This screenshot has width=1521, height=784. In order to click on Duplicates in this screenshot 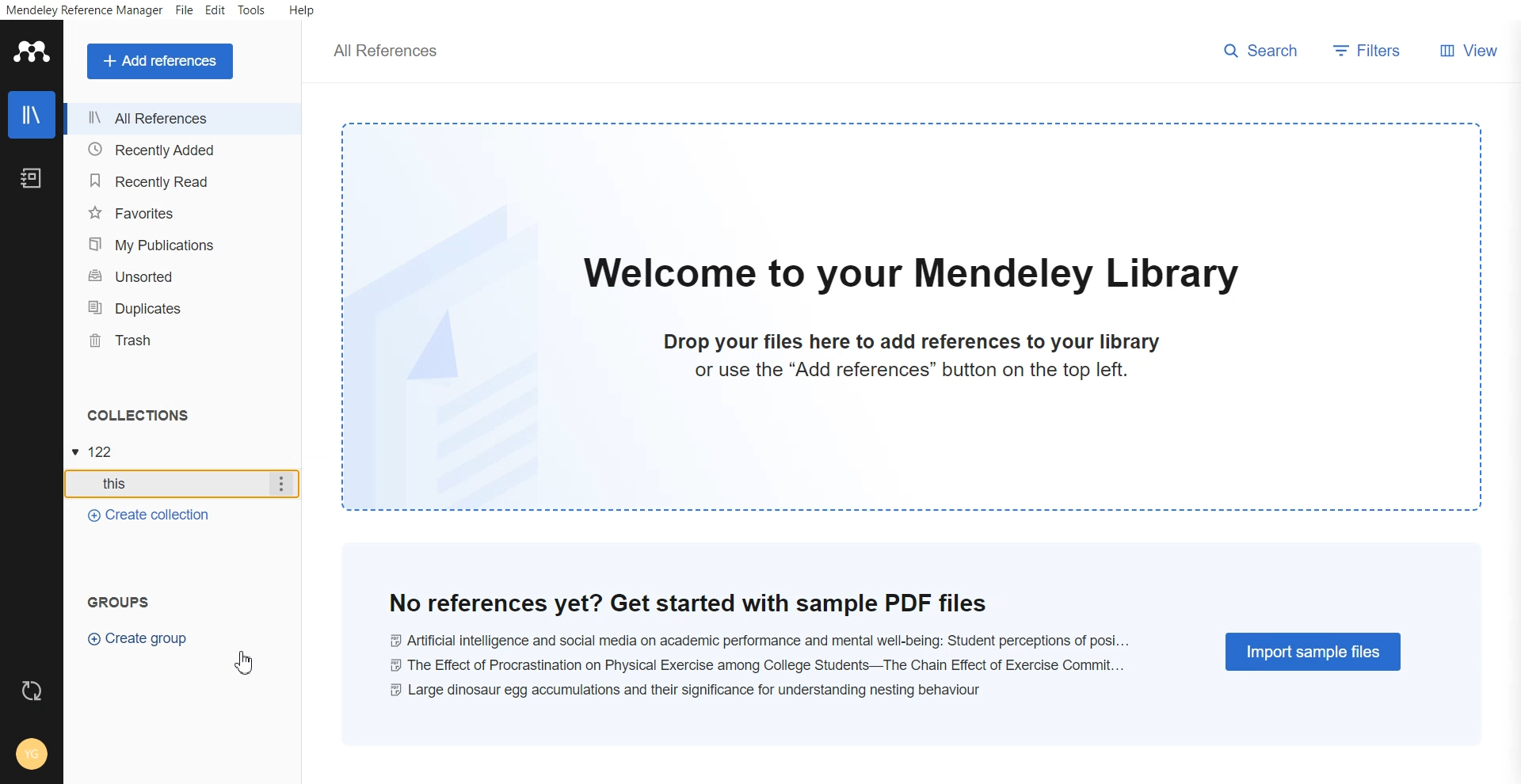, I will do `click(185, 307)`.